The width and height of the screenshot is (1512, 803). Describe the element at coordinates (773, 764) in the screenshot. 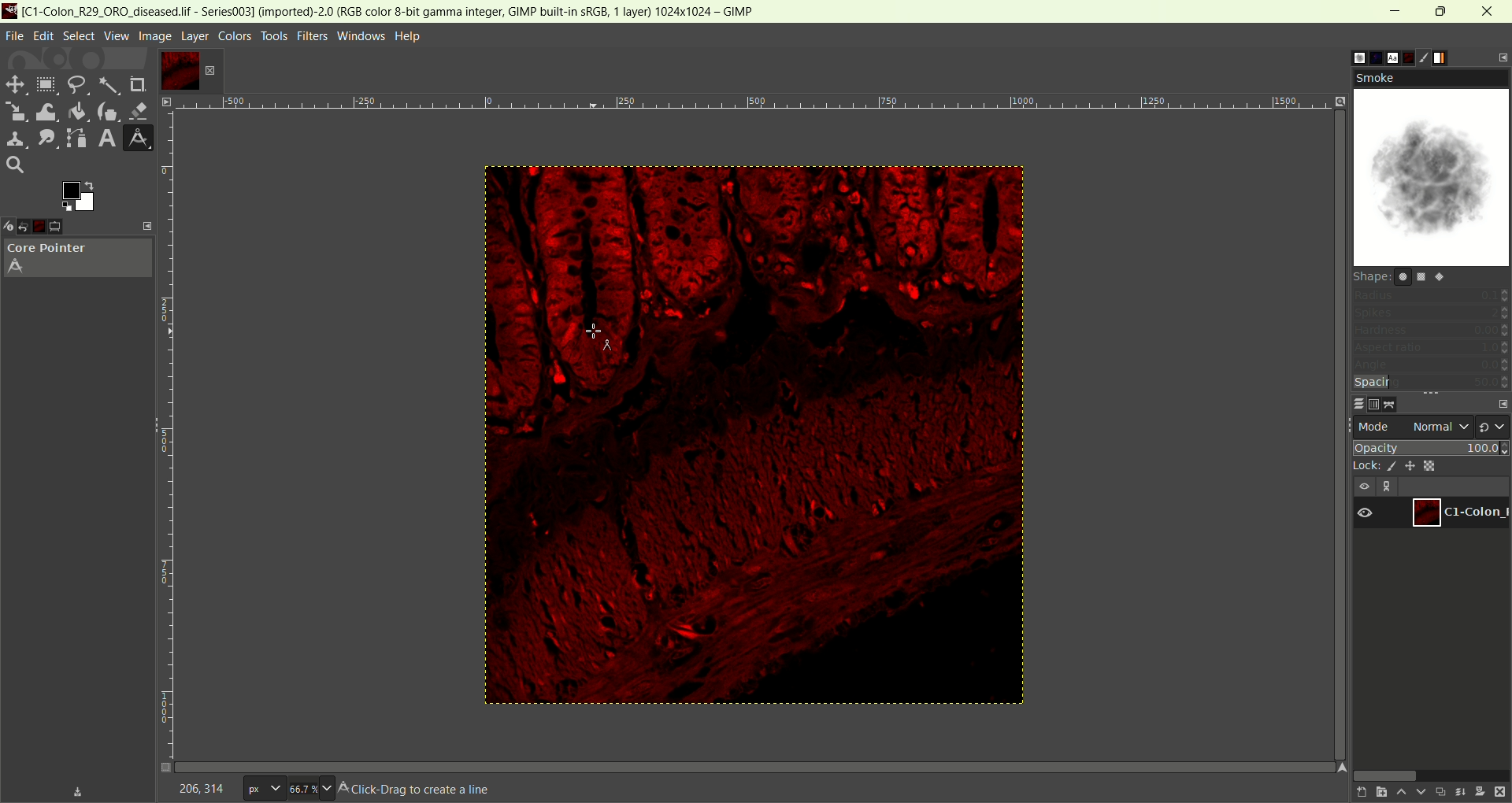

I see `Horizontal scroll bar` at that location.